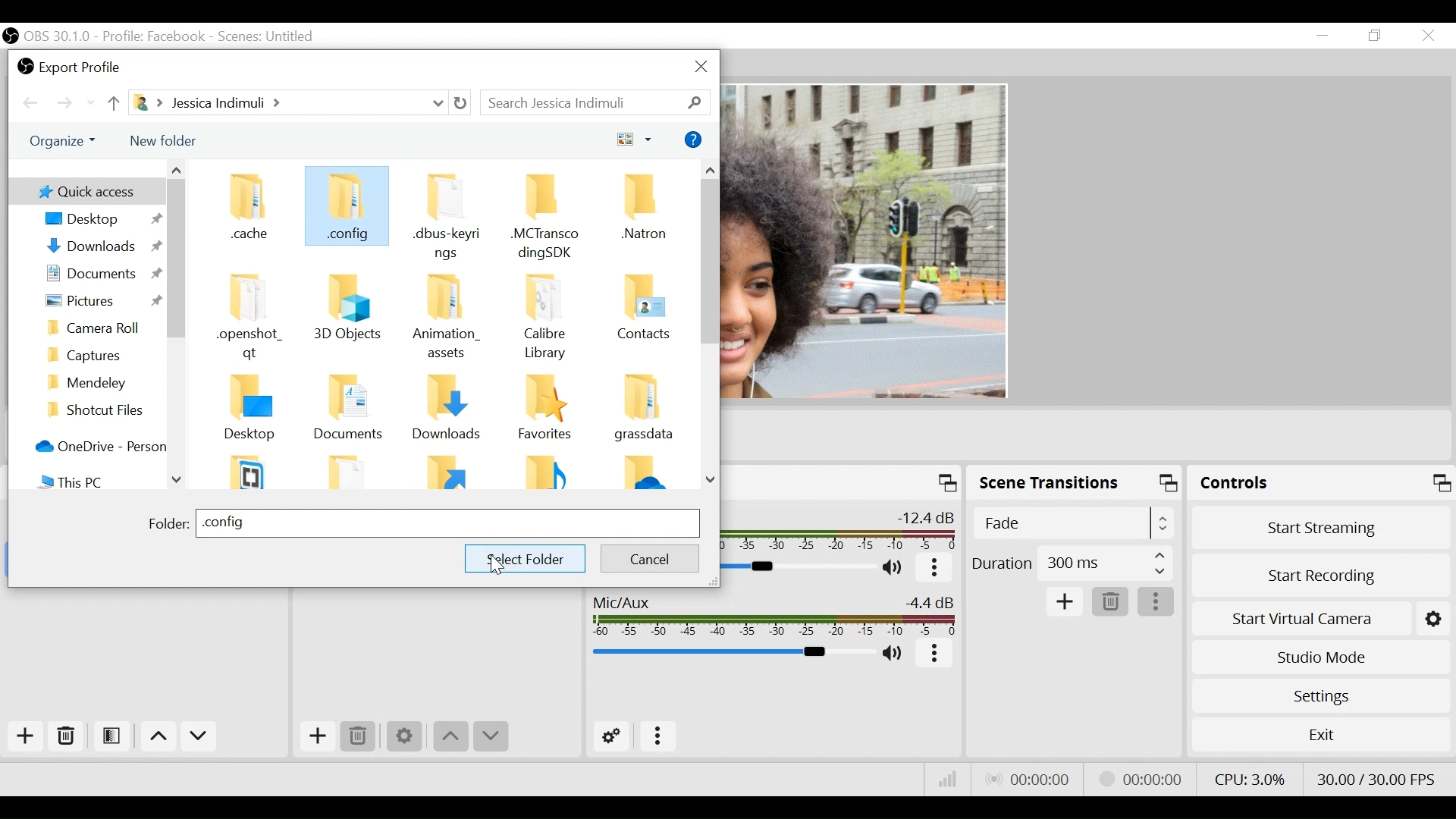 Image resolution: width=1456 pixels, height=819 pixels. Describe the element at coordinates (11, 36) in the screenshot. I see `OBS Studio Desktop Icon` at that location.